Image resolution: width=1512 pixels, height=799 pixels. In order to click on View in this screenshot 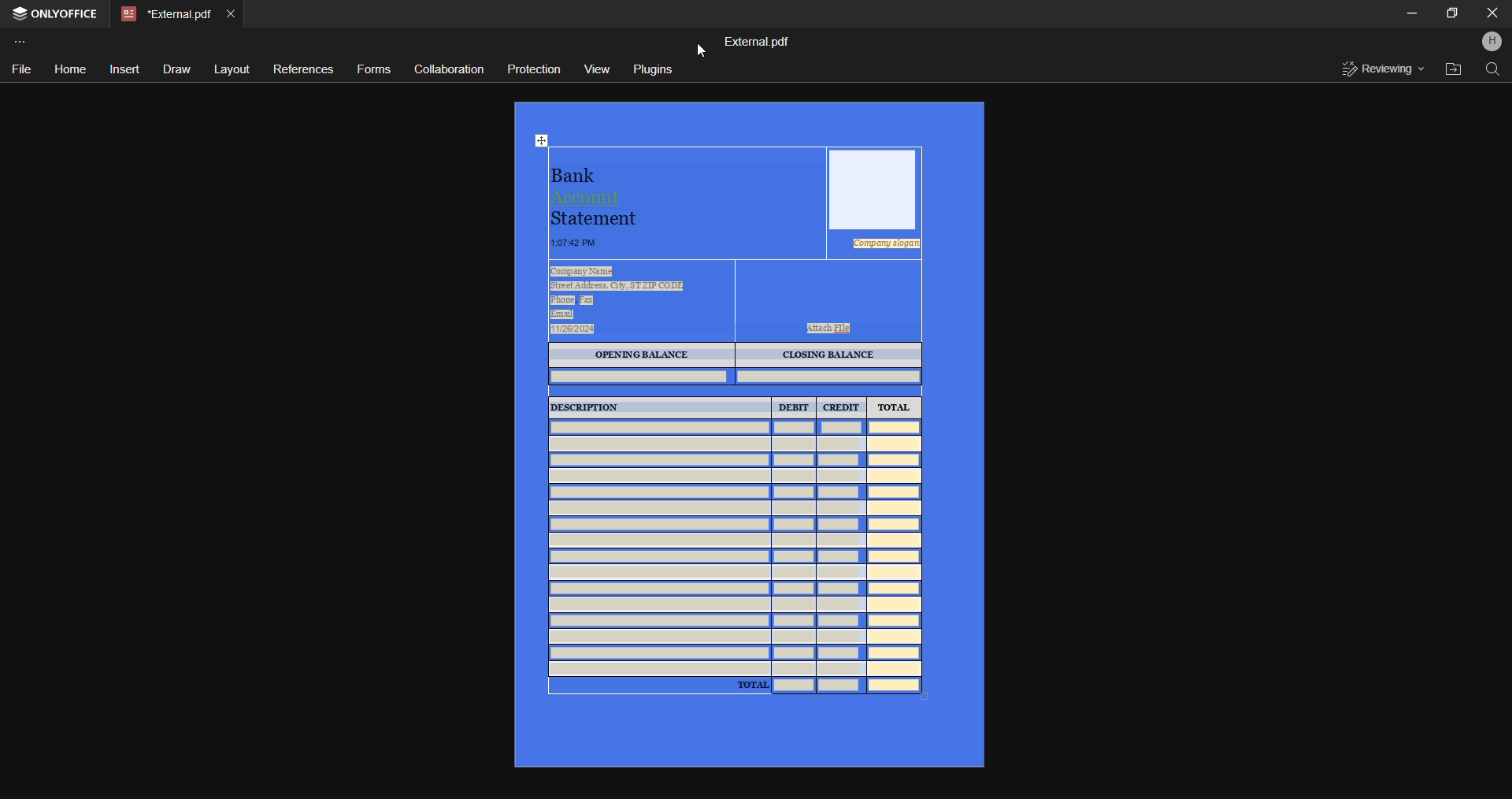, I will do `click(595, 68)`.